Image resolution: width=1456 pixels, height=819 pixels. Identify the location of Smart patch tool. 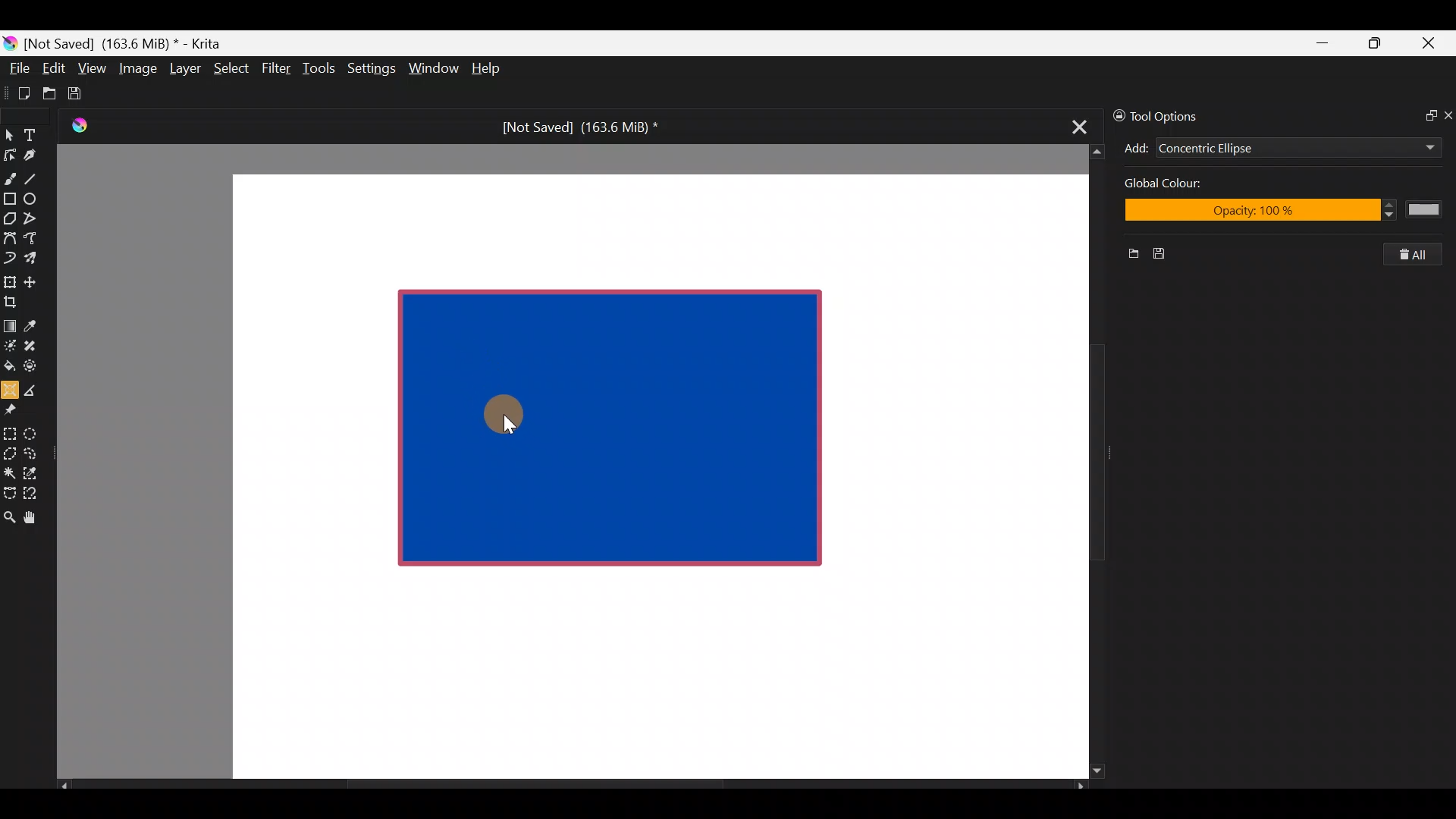
(35, 345).